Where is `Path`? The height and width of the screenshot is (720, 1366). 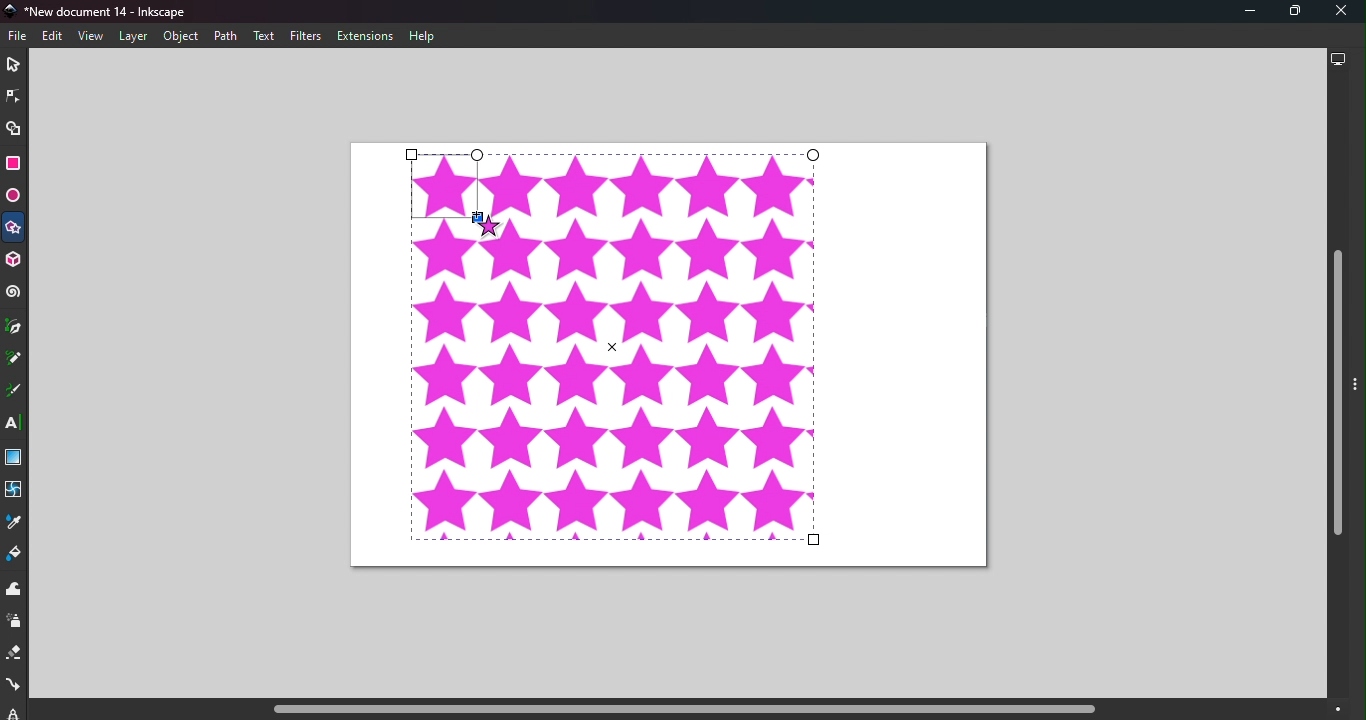
Path is located at coordinates (223, 35).